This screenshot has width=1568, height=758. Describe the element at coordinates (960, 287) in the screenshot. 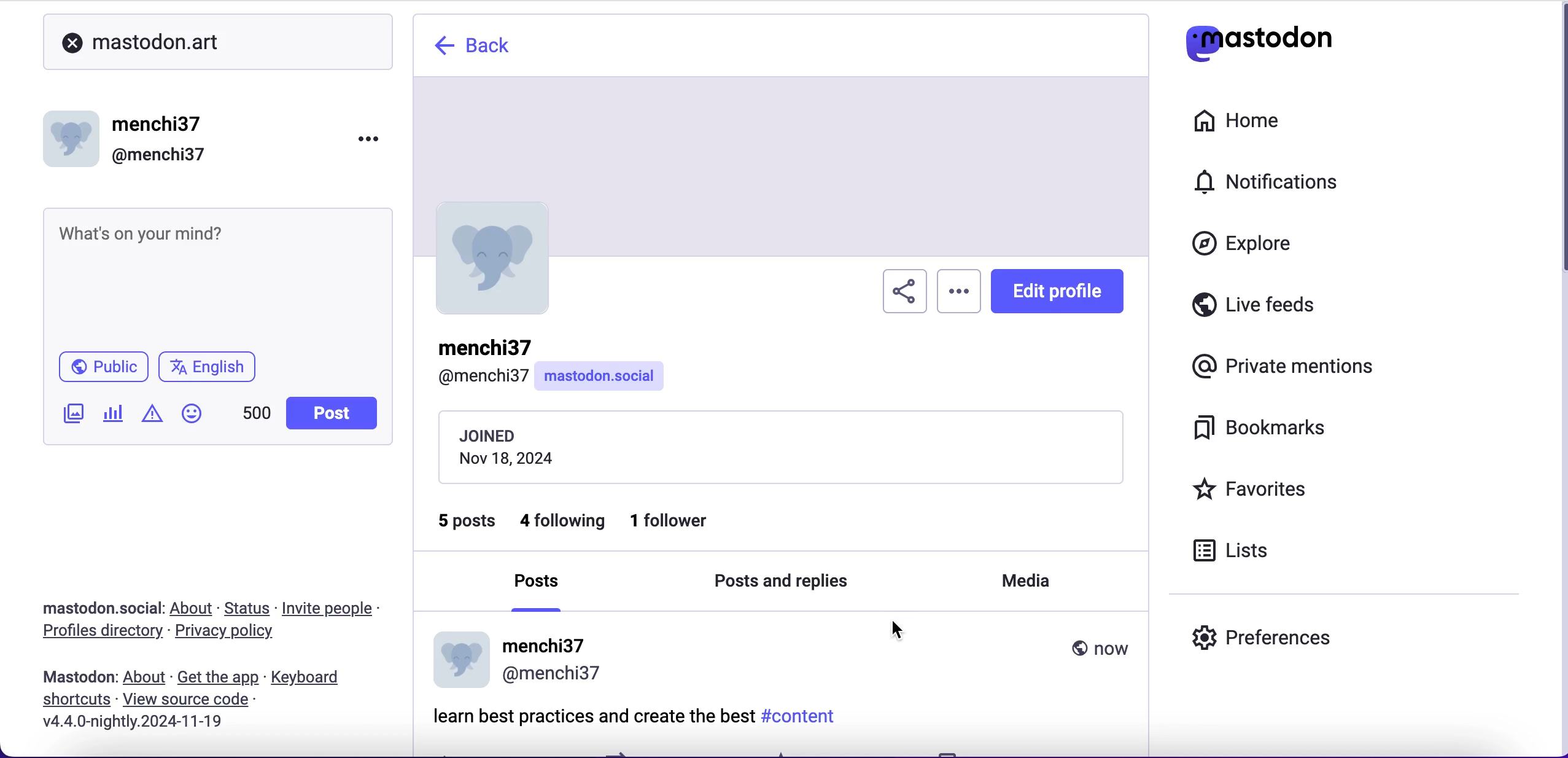

I see `options` at that location.